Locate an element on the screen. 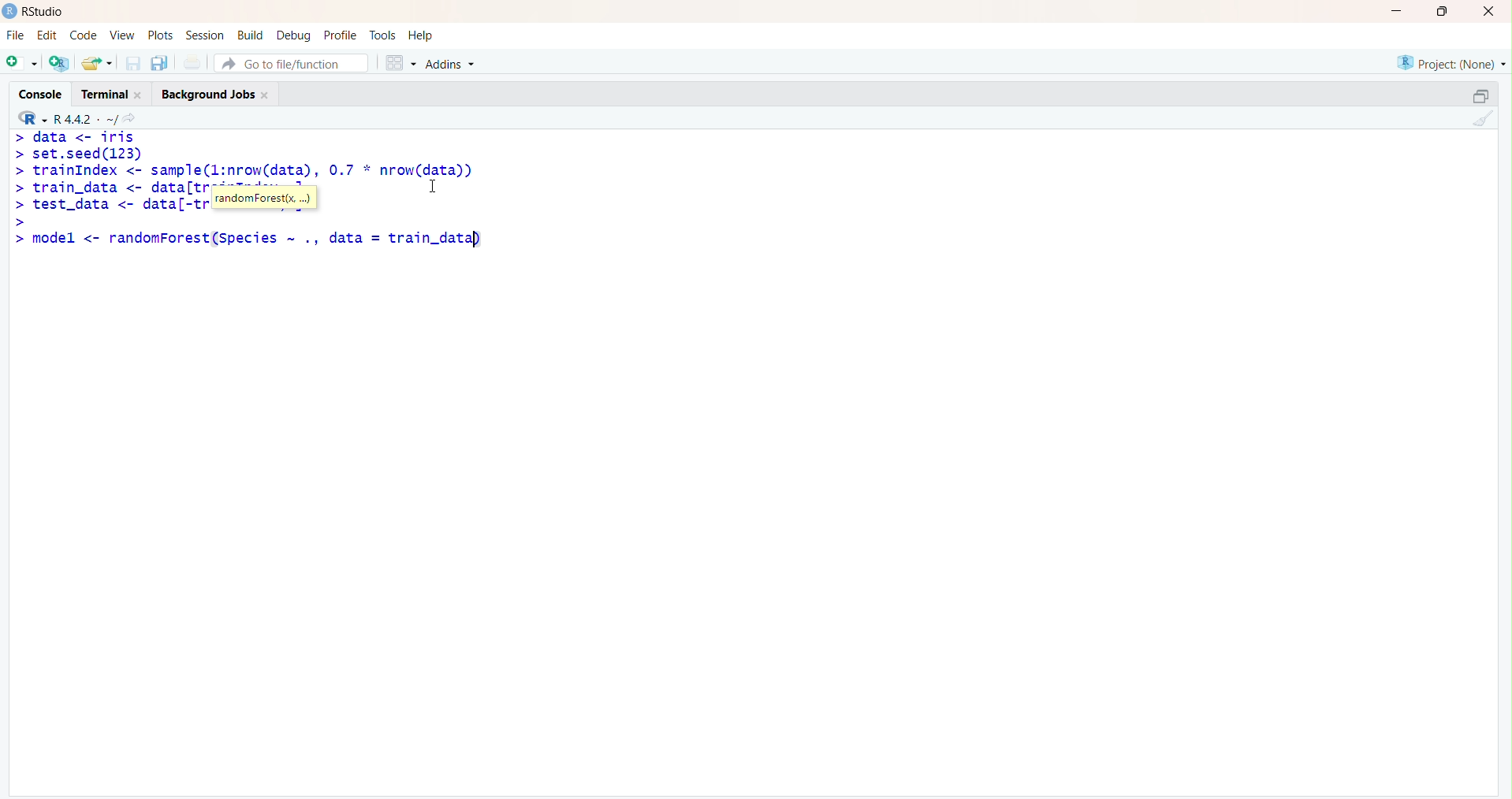 This screenshot has width=1512, height=799. R.4.4.2. ~/ is located at coordinates (87, 117).